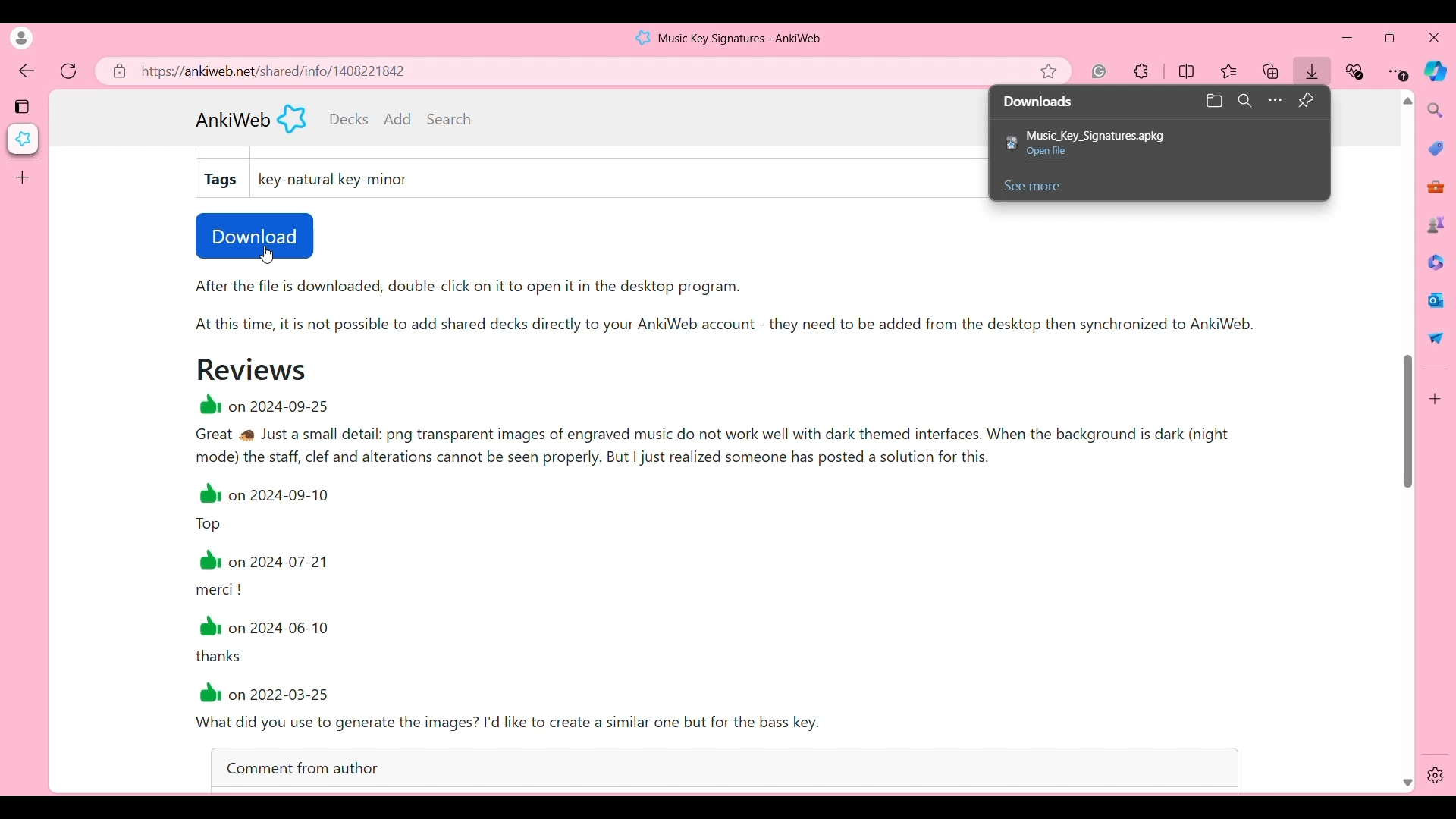  What do you see at coordinates (1436, 110) in the screenshot?
I see `Search` at bounding box center [1436, 110].